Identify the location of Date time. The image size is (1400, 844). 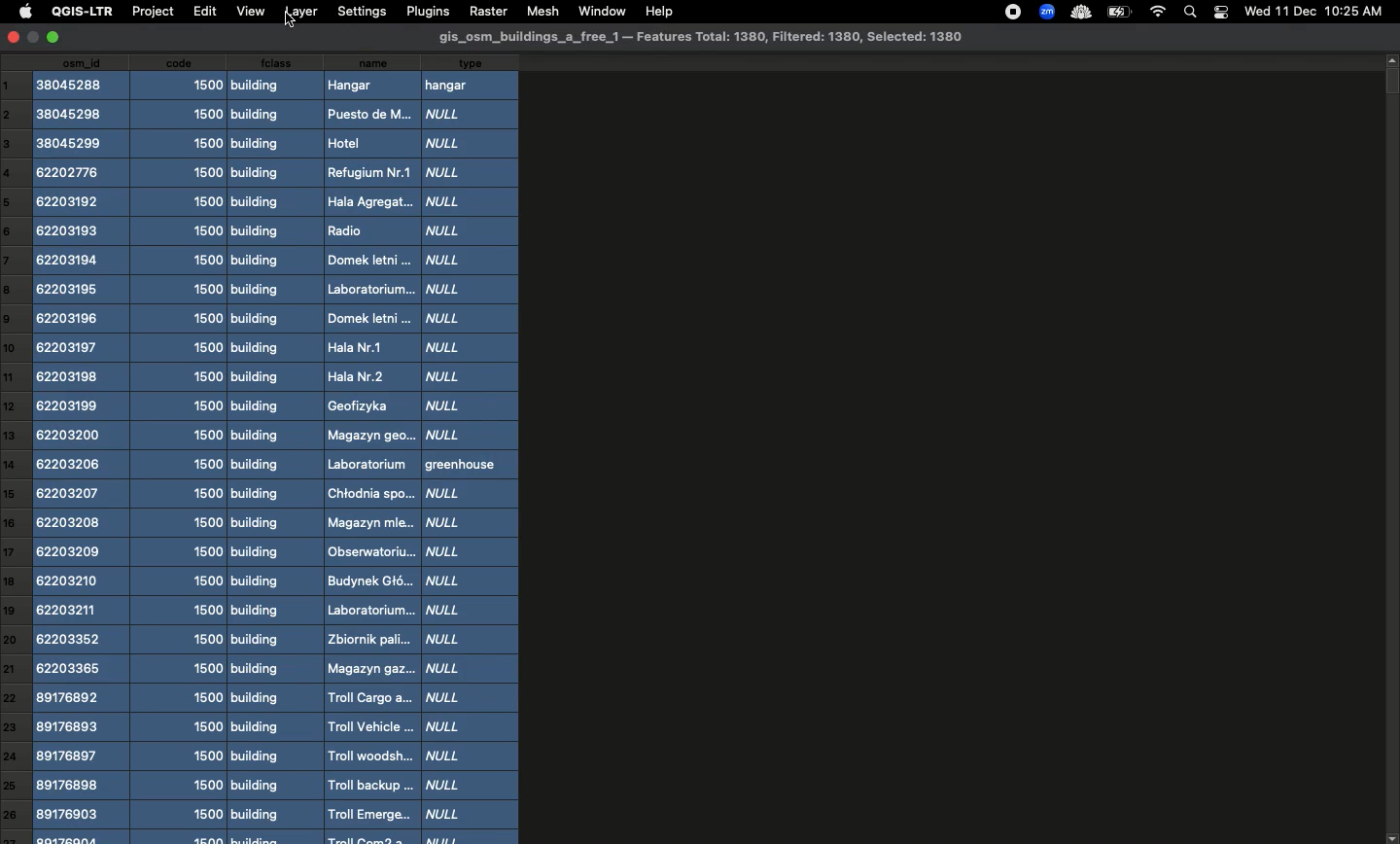
(1313, 11).